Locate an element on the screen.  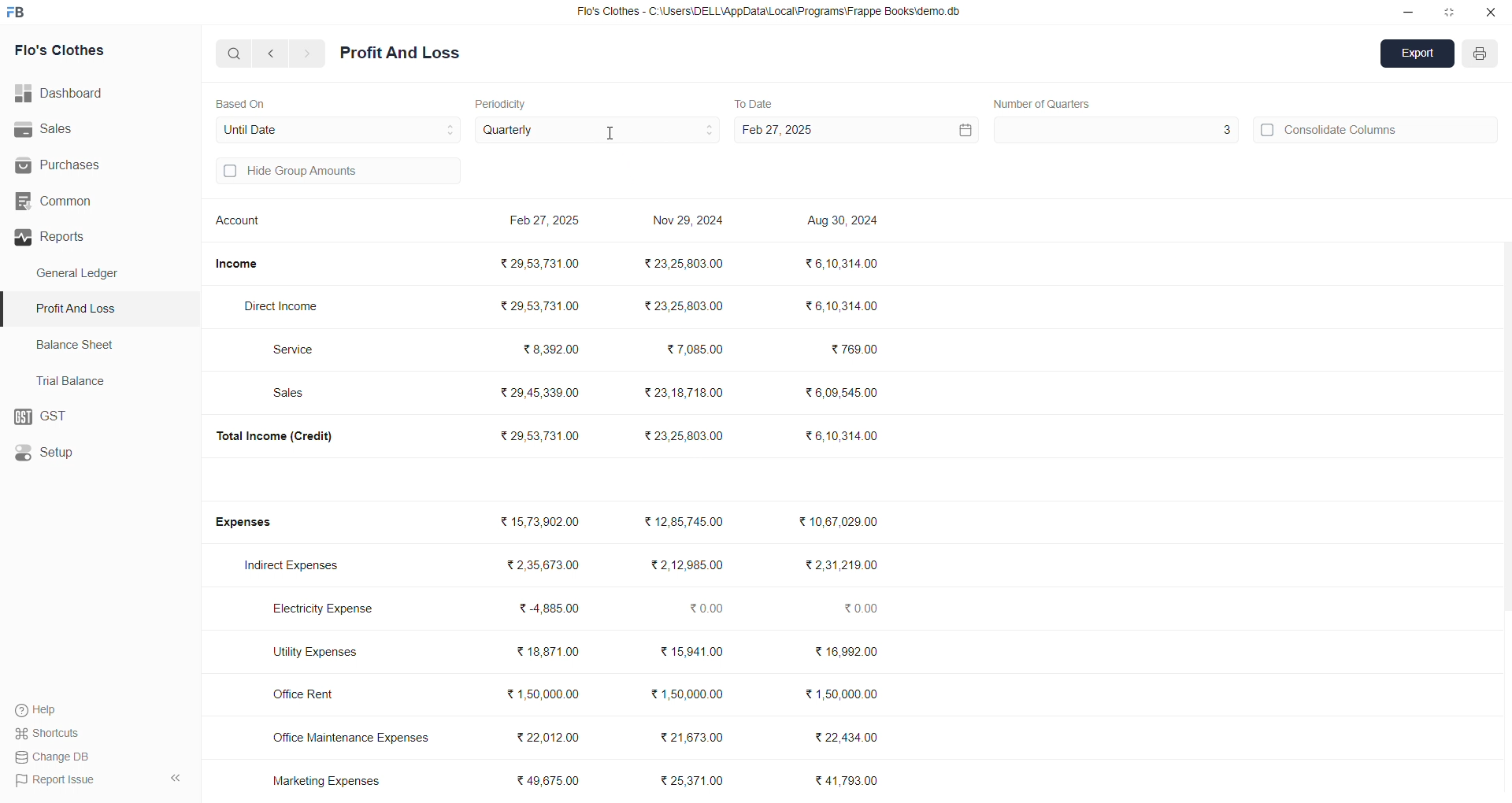
₹22,434.00 is located at coordinates (847, 735).